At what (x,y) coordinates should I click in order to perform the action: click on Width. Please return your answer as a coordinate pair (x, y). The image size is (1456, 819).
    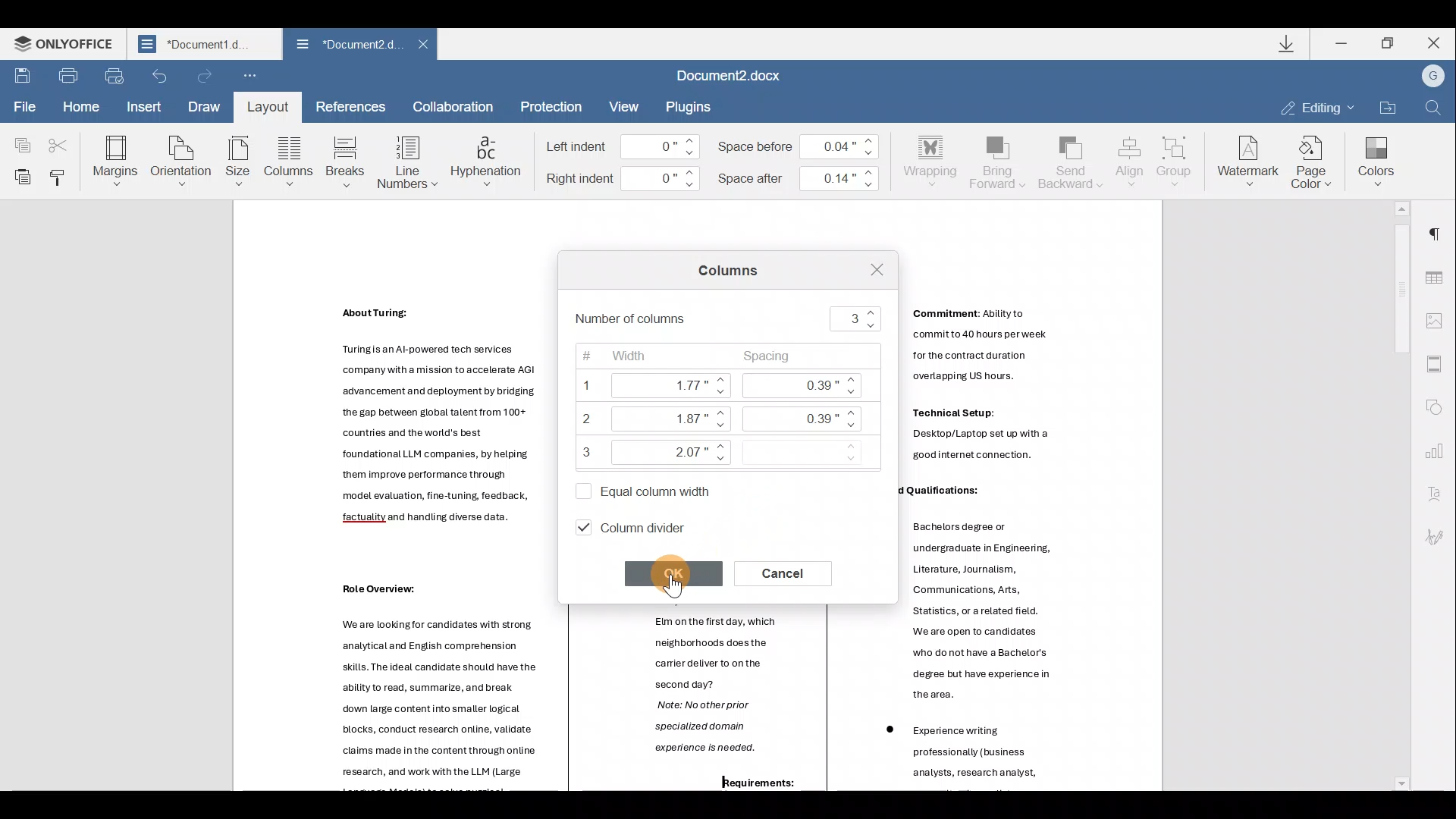
    Looking at the image, I should click on (649, 405).